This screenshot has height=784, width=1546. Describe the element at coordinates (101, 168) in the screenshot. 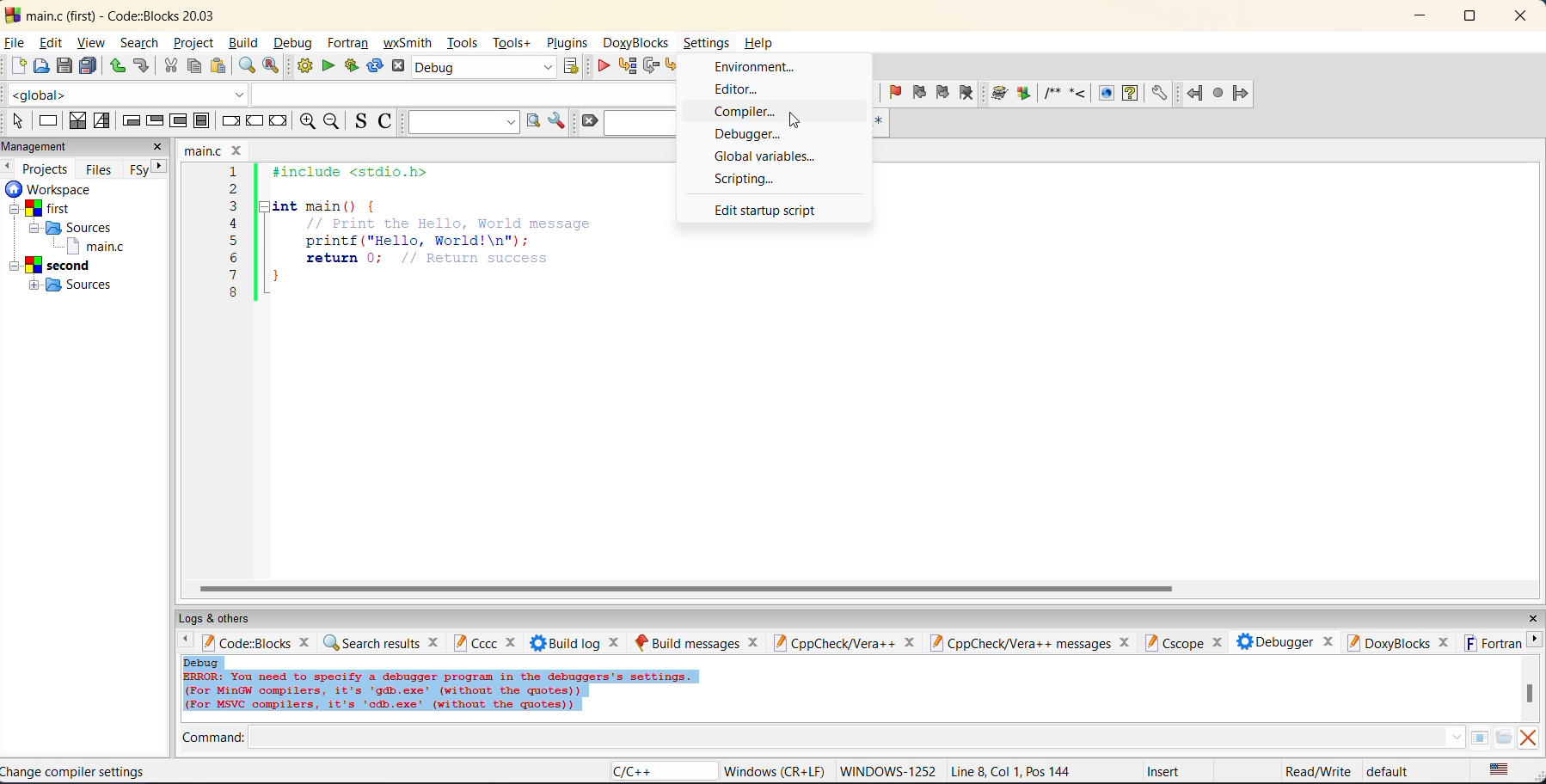

I see `files` at that location.